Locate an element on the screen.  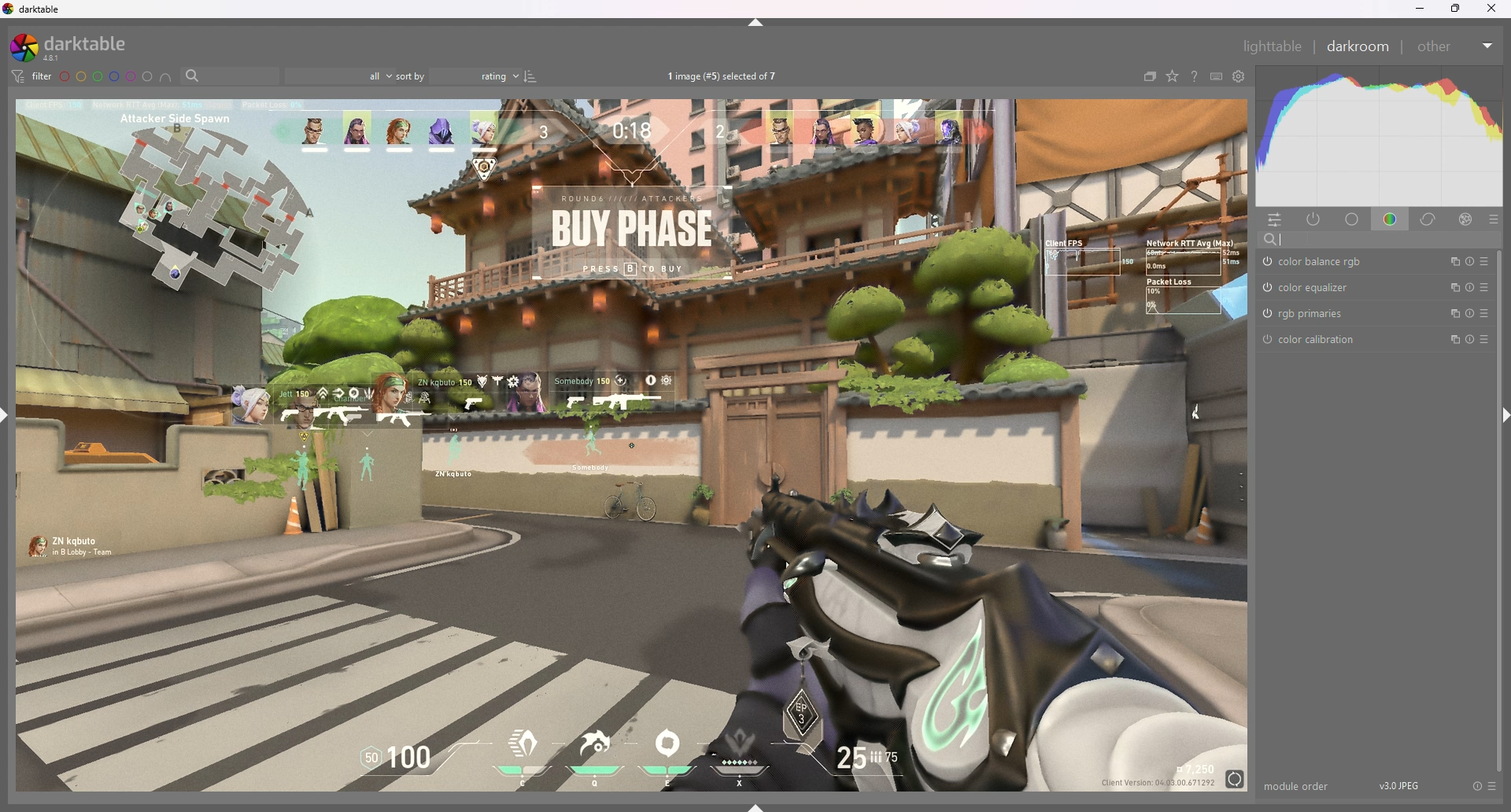
help is located at coordinates (1194, 76).